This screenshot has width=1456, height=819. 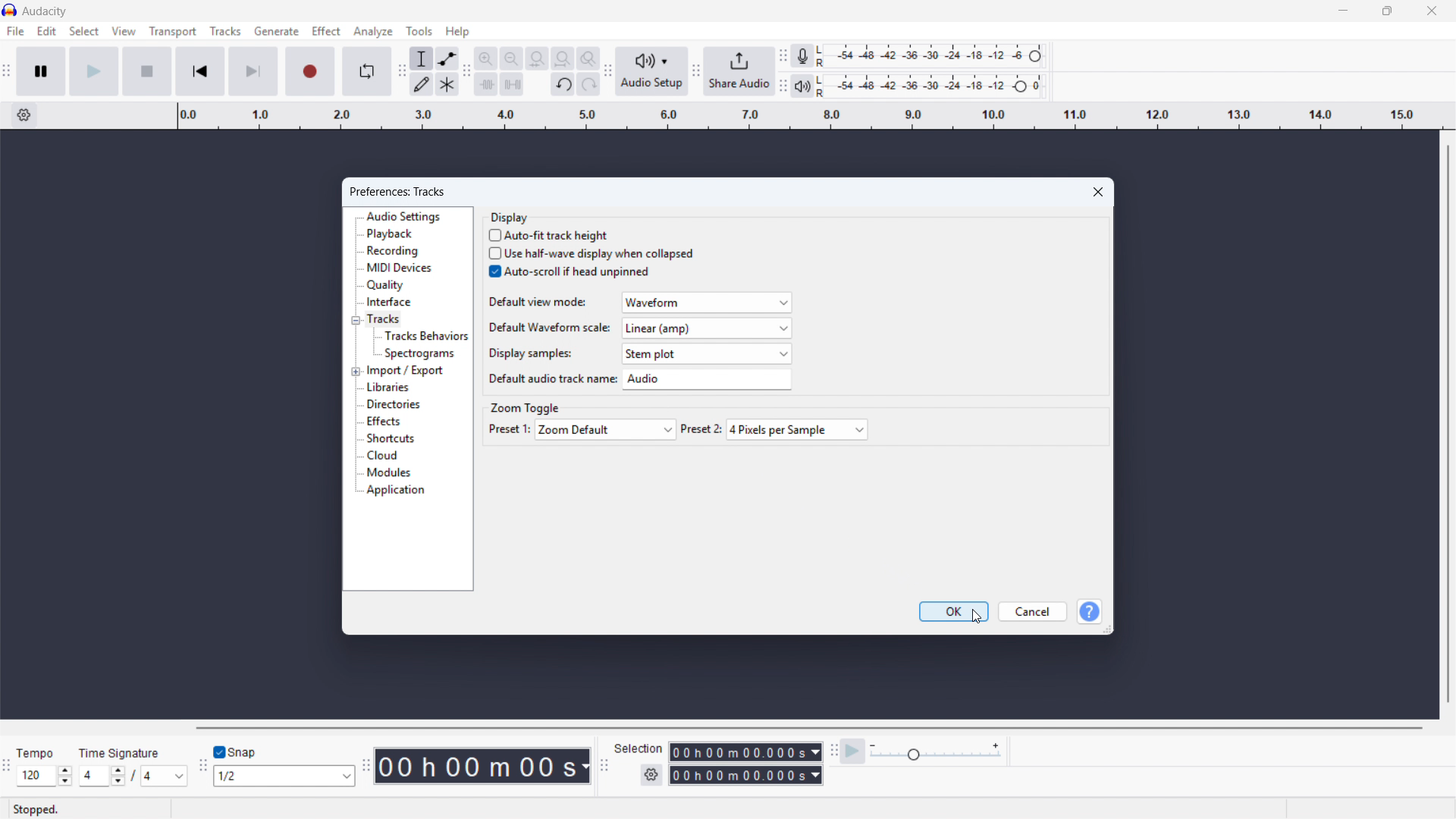 What do you see at coordinates (550, 234) in the screenshot?
I see `auto-fit track height` at bounding box center [550, 234].